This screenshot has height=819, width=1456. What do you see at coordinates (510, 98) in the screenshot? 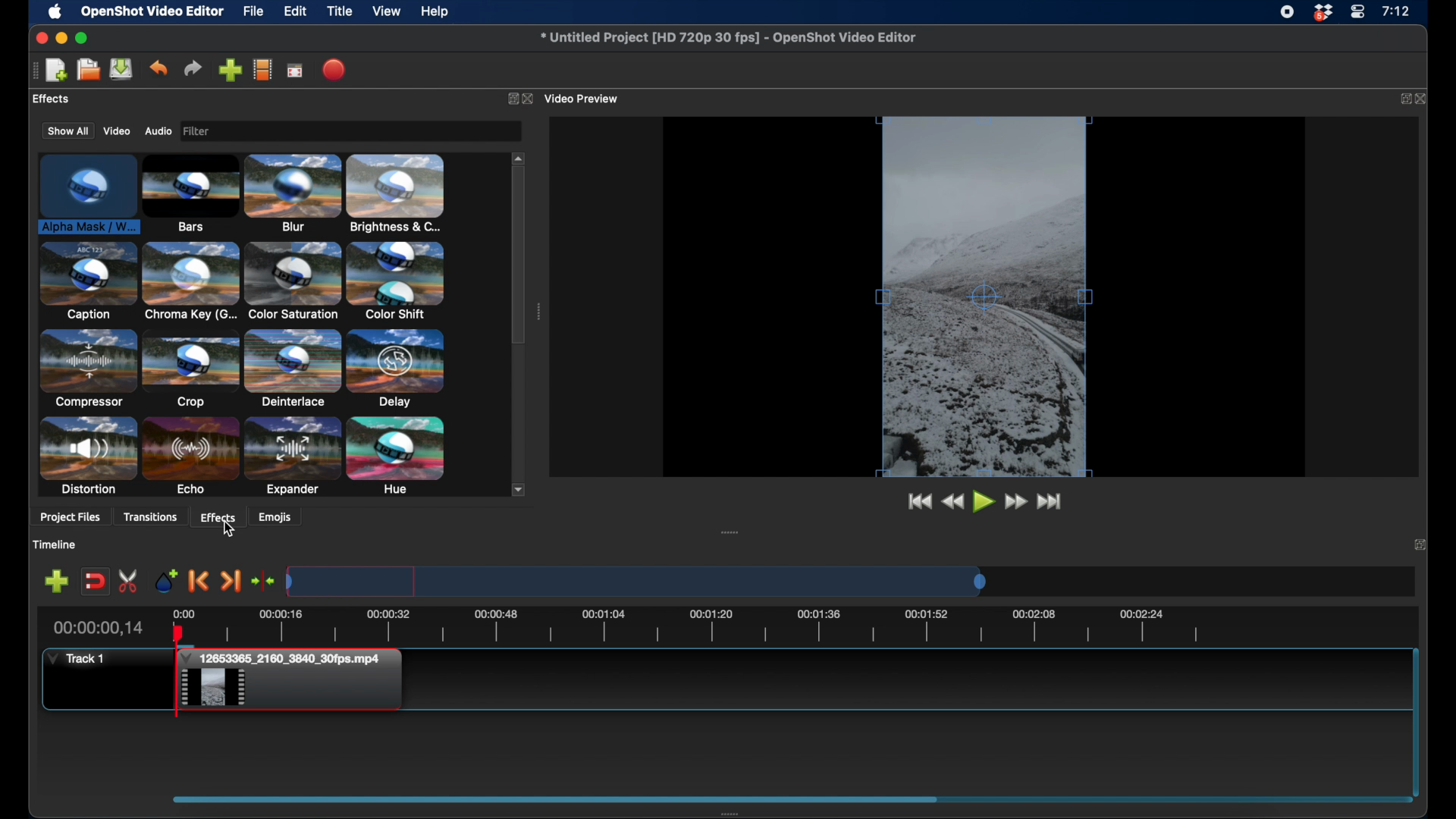
I see `expand` at bounding box center [510, 98].